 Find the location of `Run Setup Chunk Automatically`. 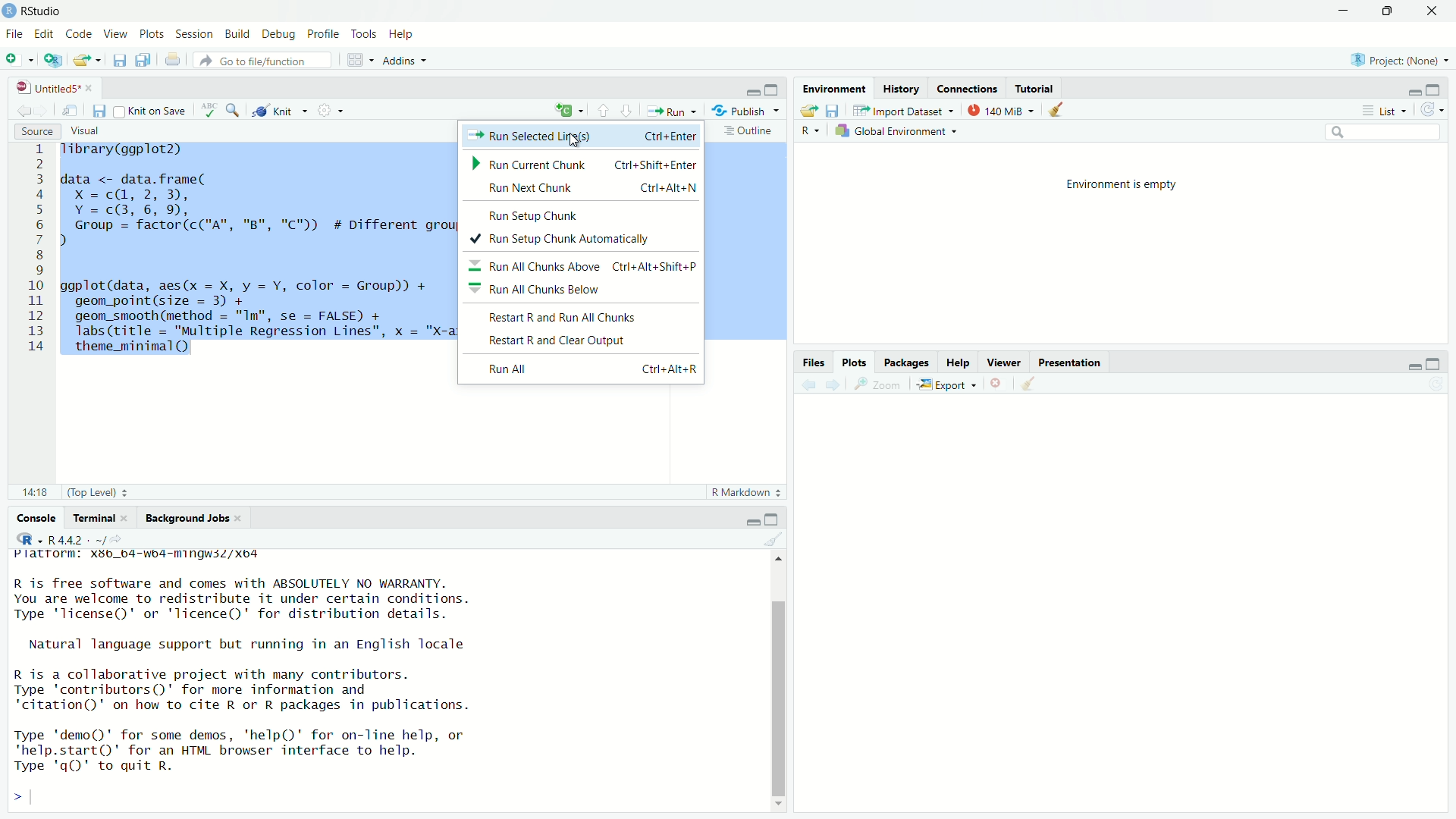

Run Setup Chunk Automatically is located at coordinates (582, 241).